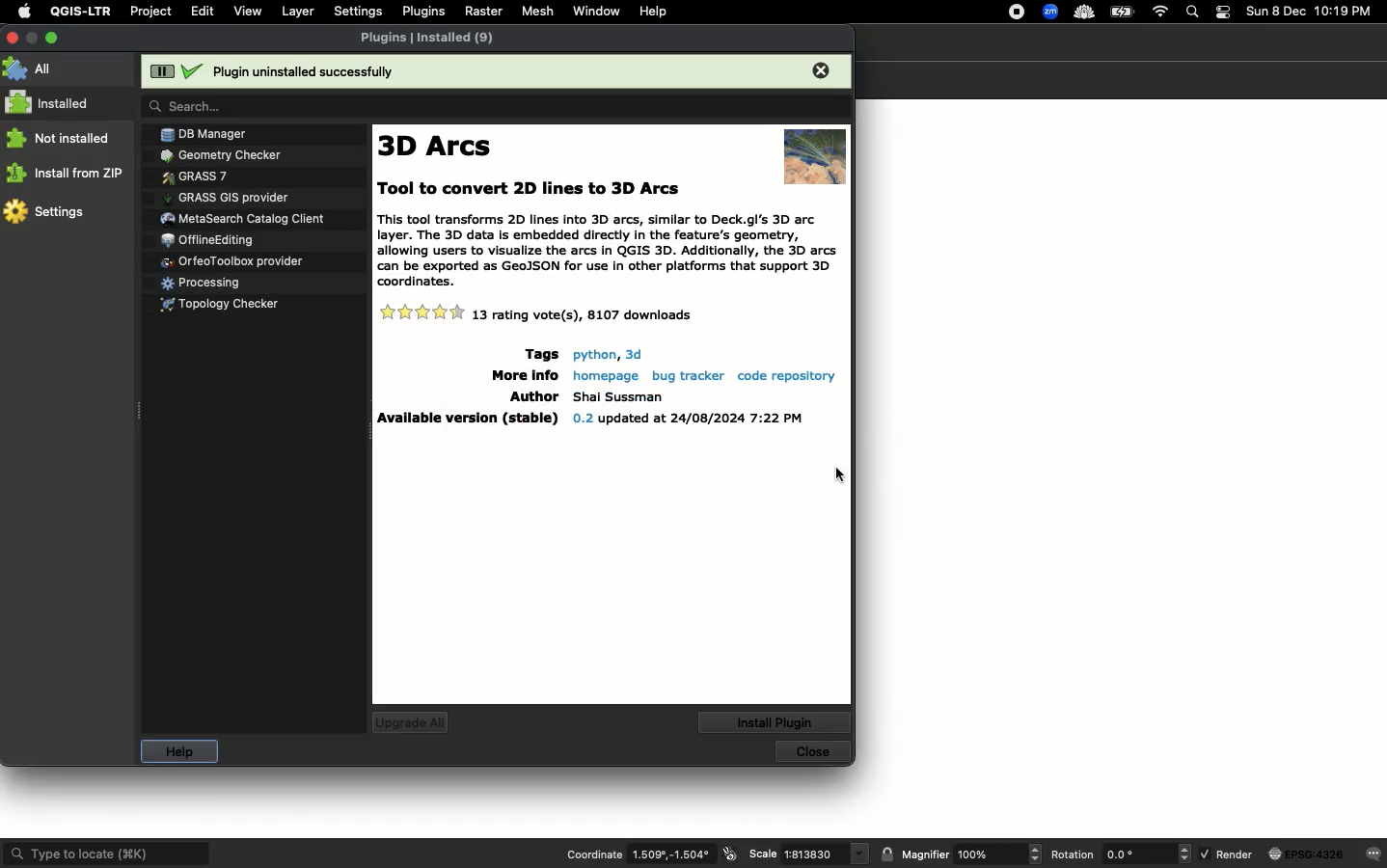 The height and width of the screenshot is (868, 1387). I want to click on search, so click(208, 105).